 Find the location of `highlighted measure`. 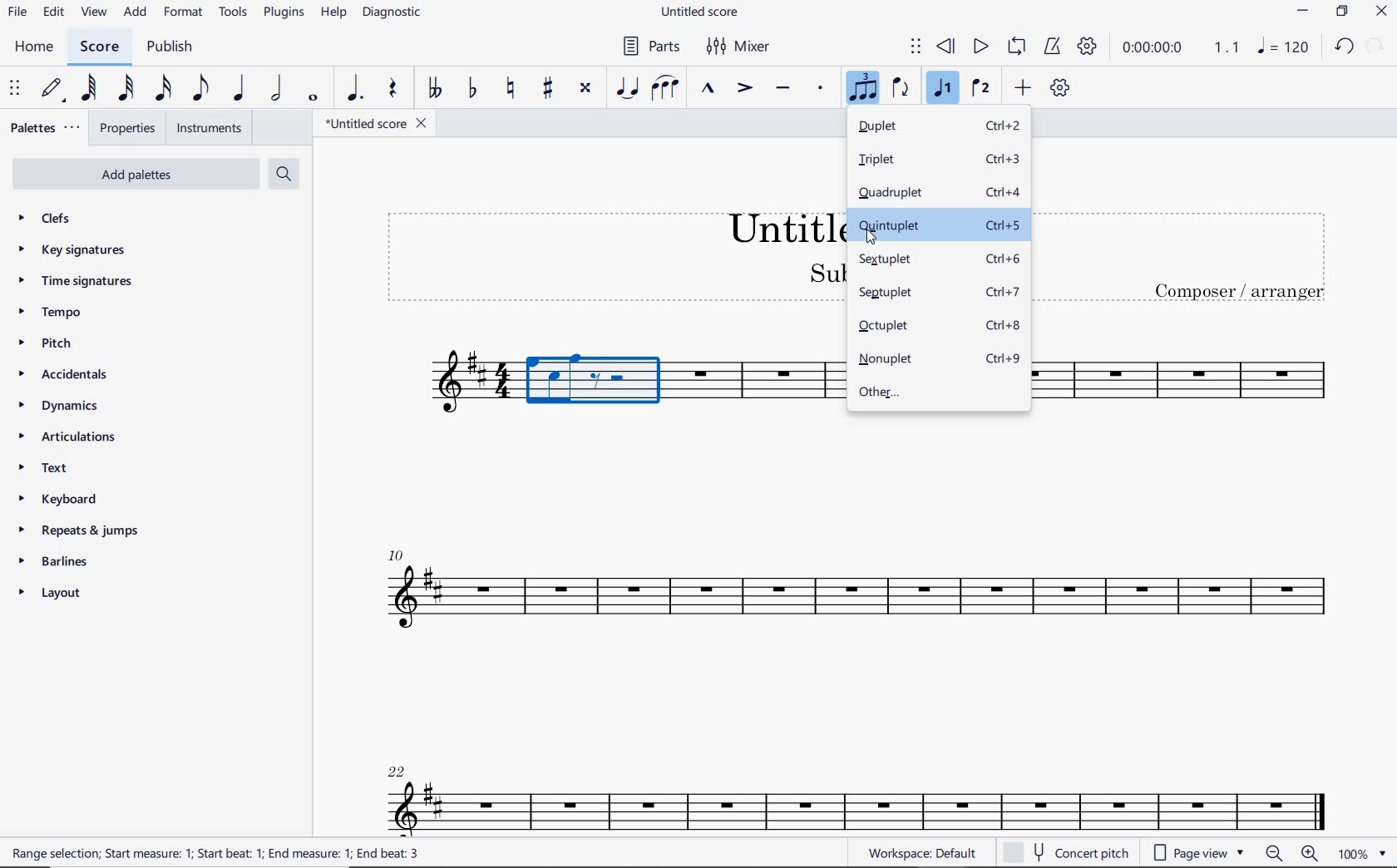

highlighted measure is located at coordinates (595, 387).